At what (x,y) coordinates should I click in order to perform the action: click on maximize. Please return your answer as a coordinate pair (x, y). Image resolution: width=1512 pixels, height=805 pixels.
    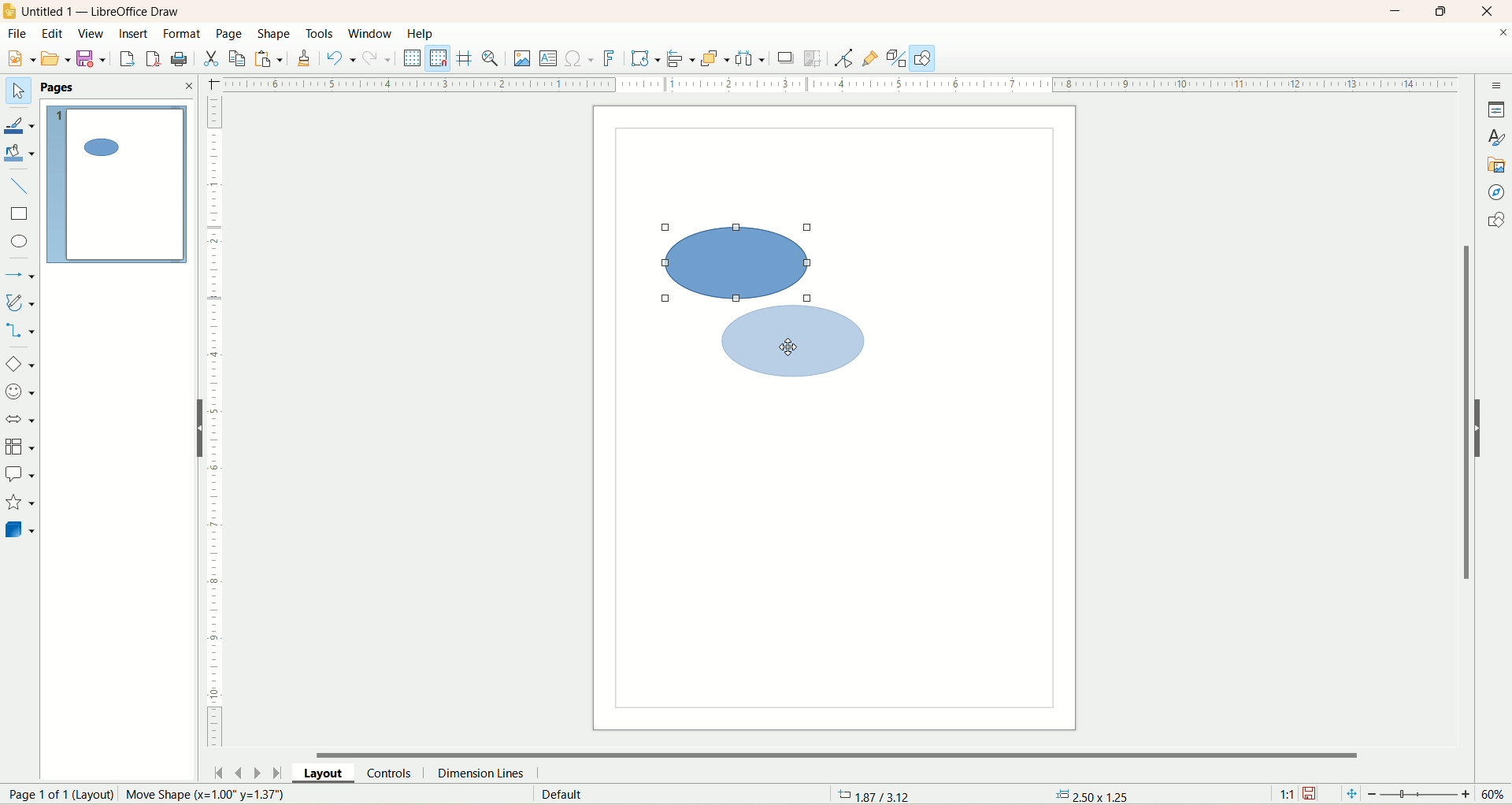
    Looking at the image, I should click on (1440, 11).